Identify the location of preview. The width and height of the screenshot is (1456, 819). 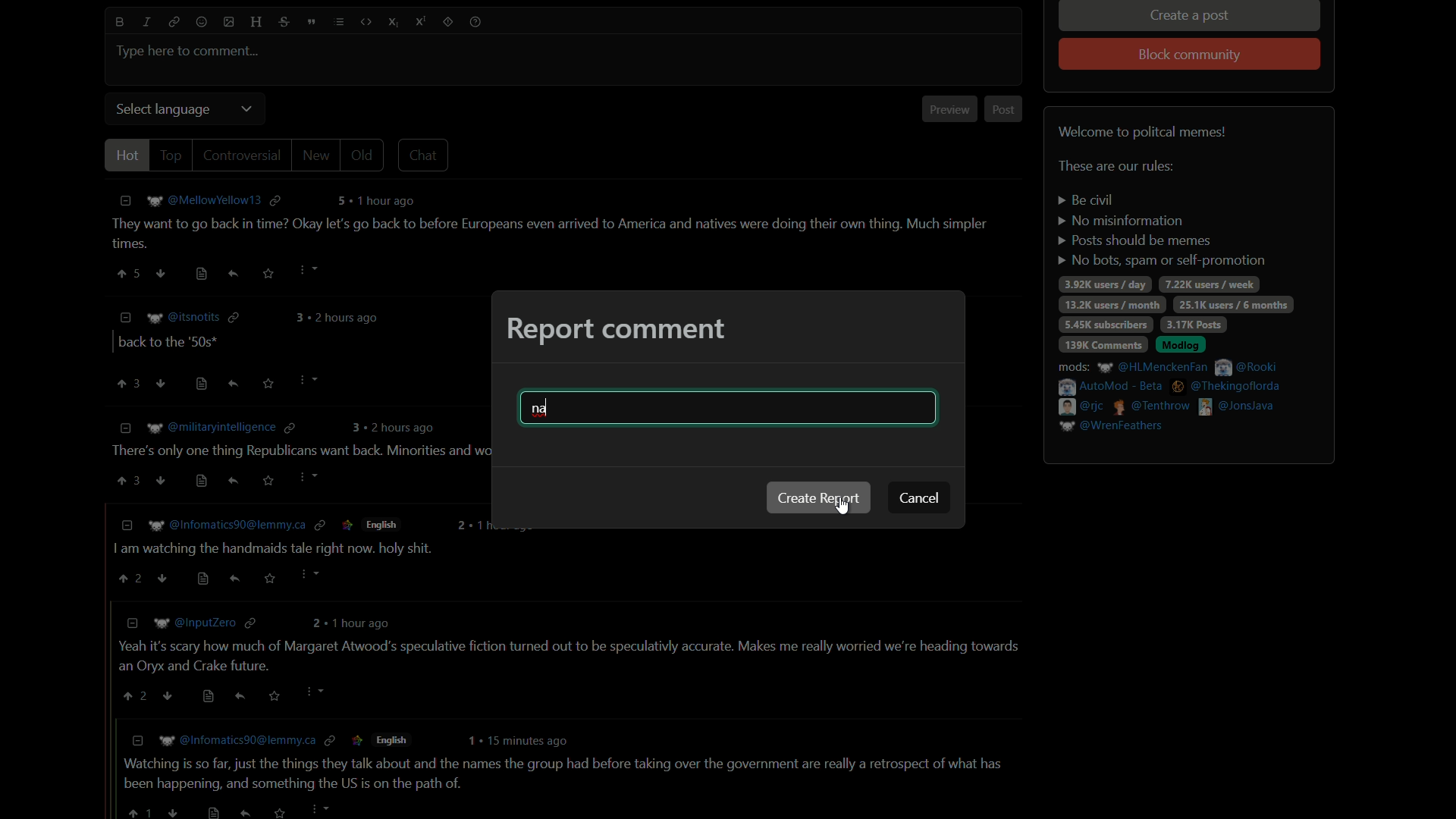
(950, 109).